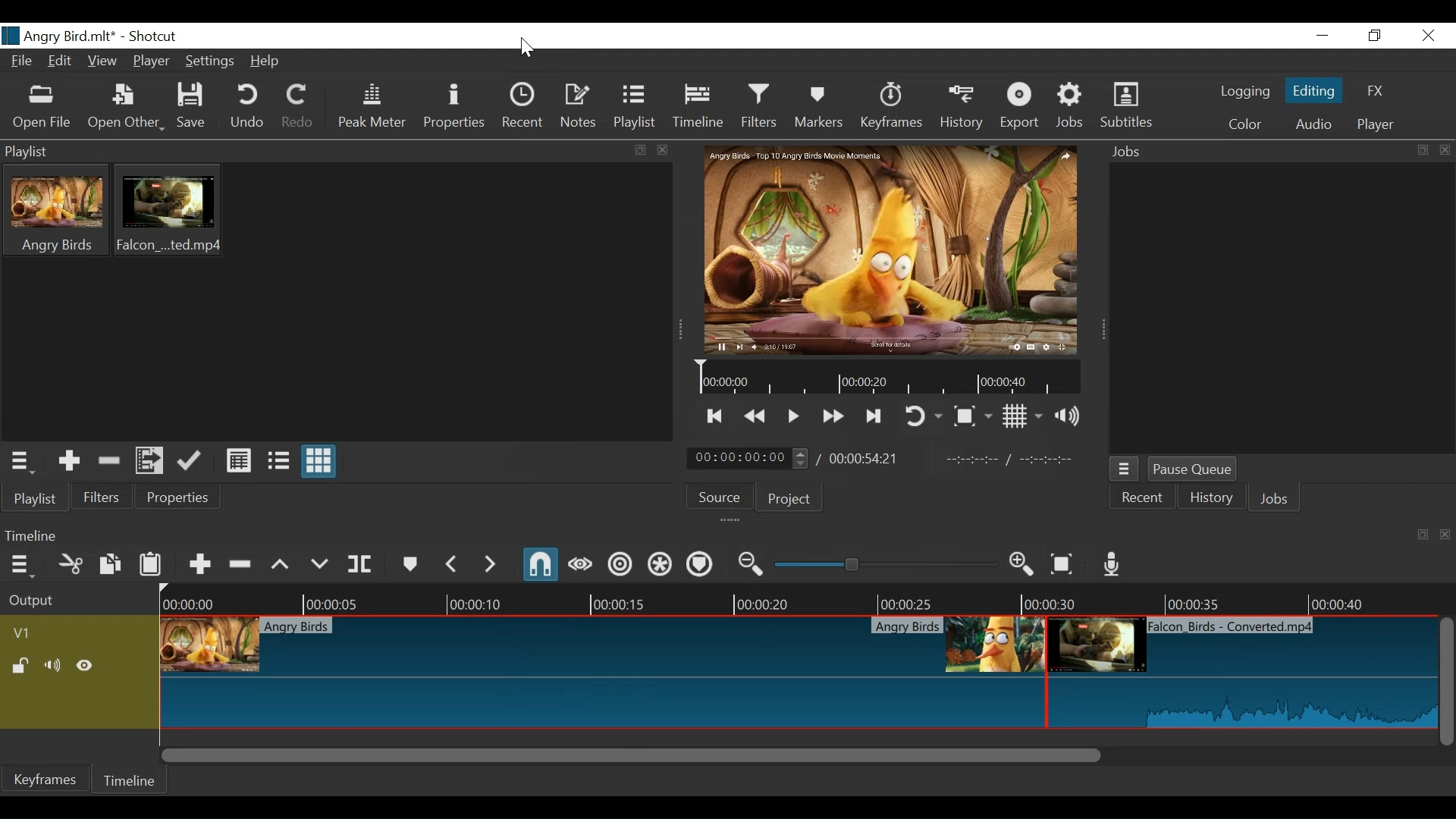 This screenshot has width=1456, height=819. I want to click on Previous Marker, so click(453, 566).